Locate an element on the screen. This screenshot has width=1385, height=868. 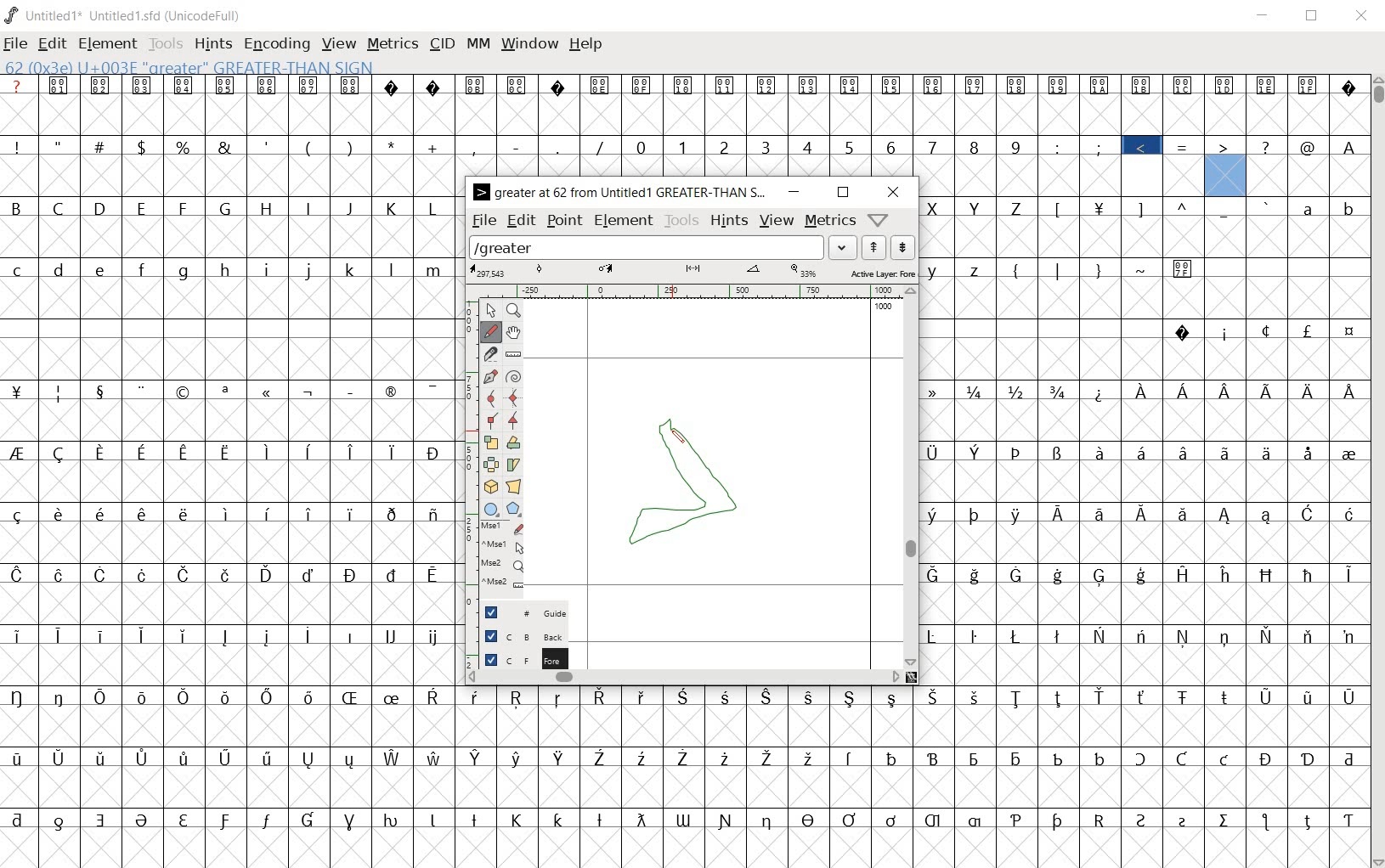
perform a perspective transformation on the selection is located at coordinates (514, 486).